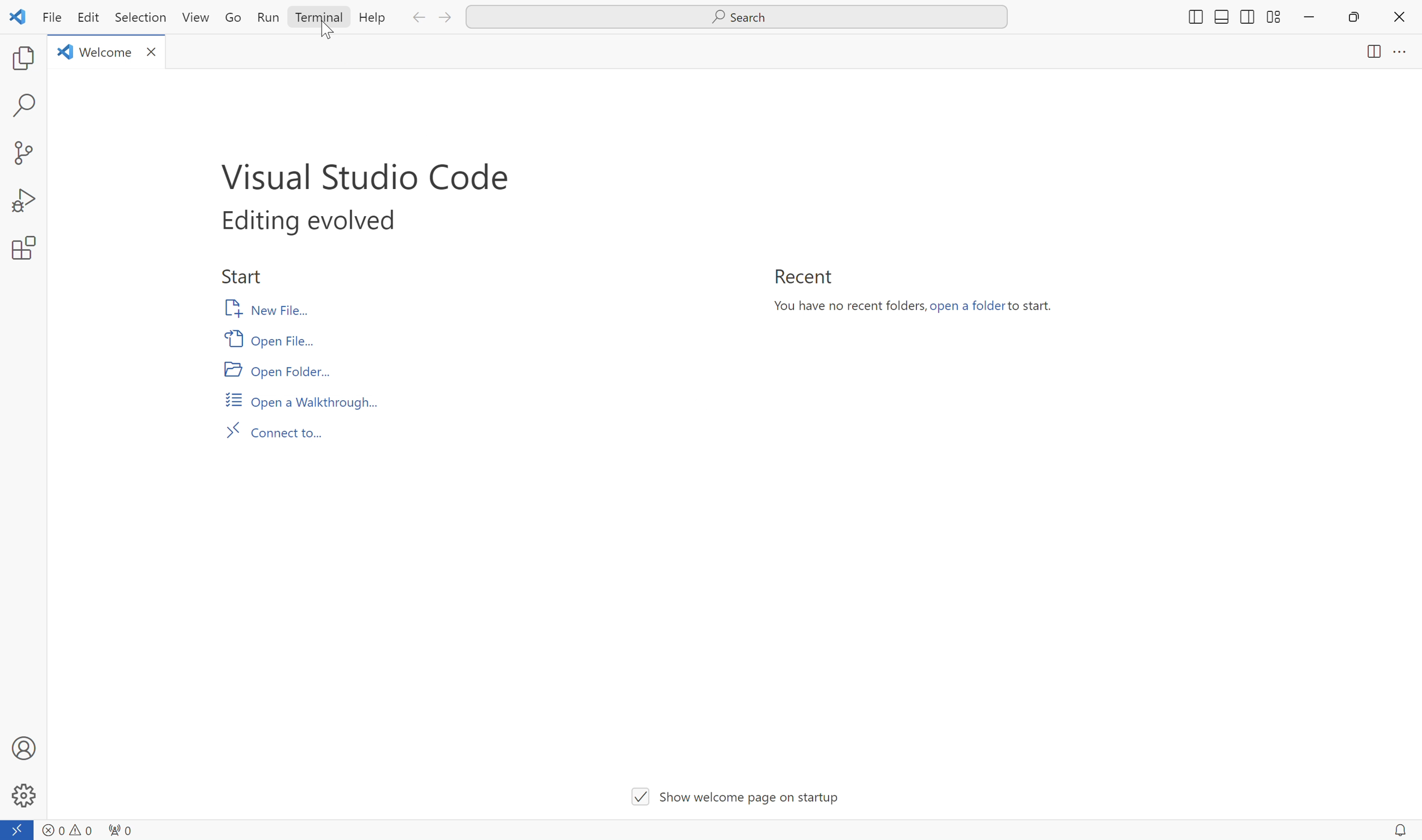  I want to click on , so click(1193, 18).